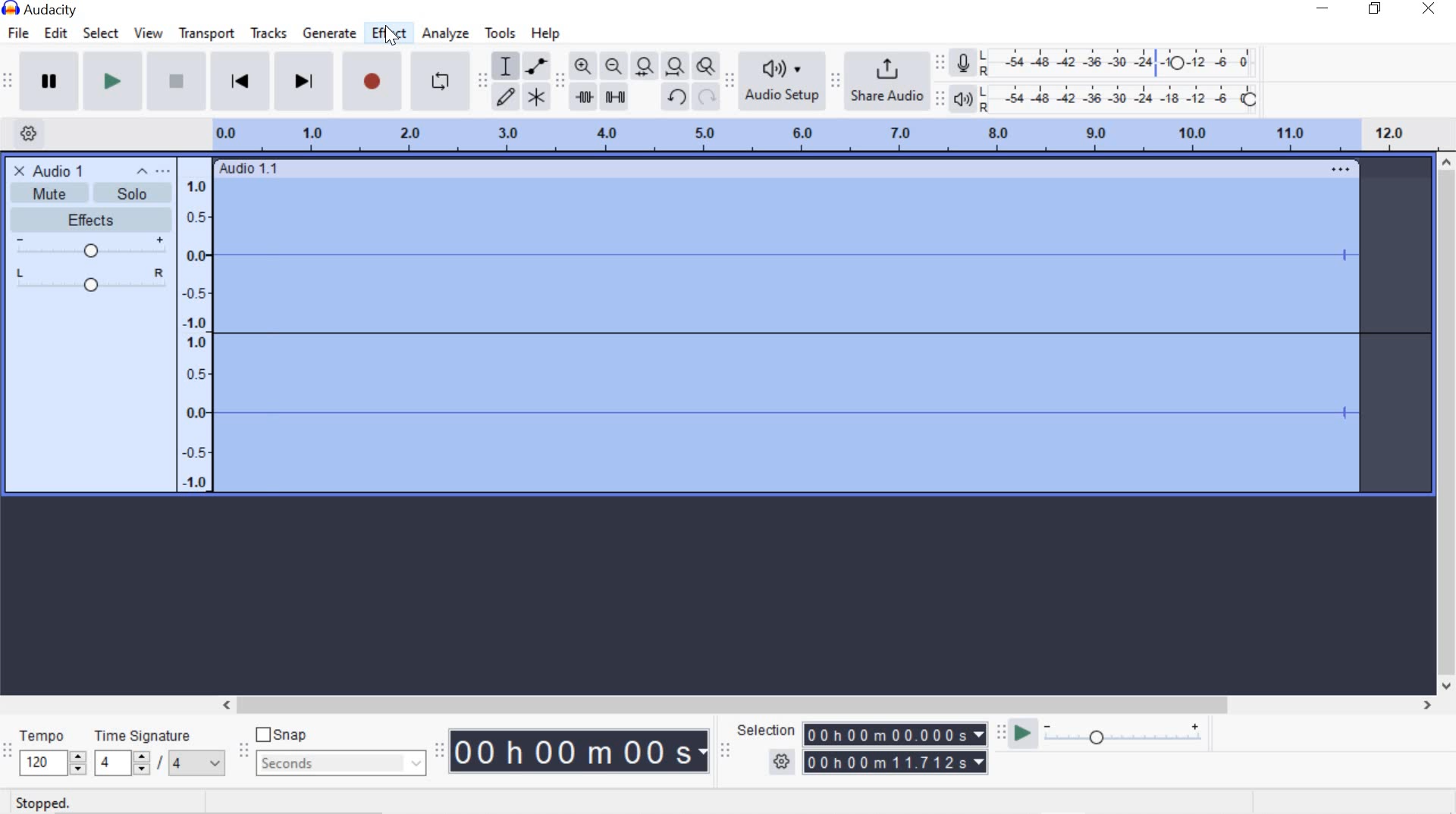 Image resolution: width=1456 pixels, height=814 pixels. Describe the element at coordinates (42, 803) in the screenshot. I see `STOPPED` at that location.